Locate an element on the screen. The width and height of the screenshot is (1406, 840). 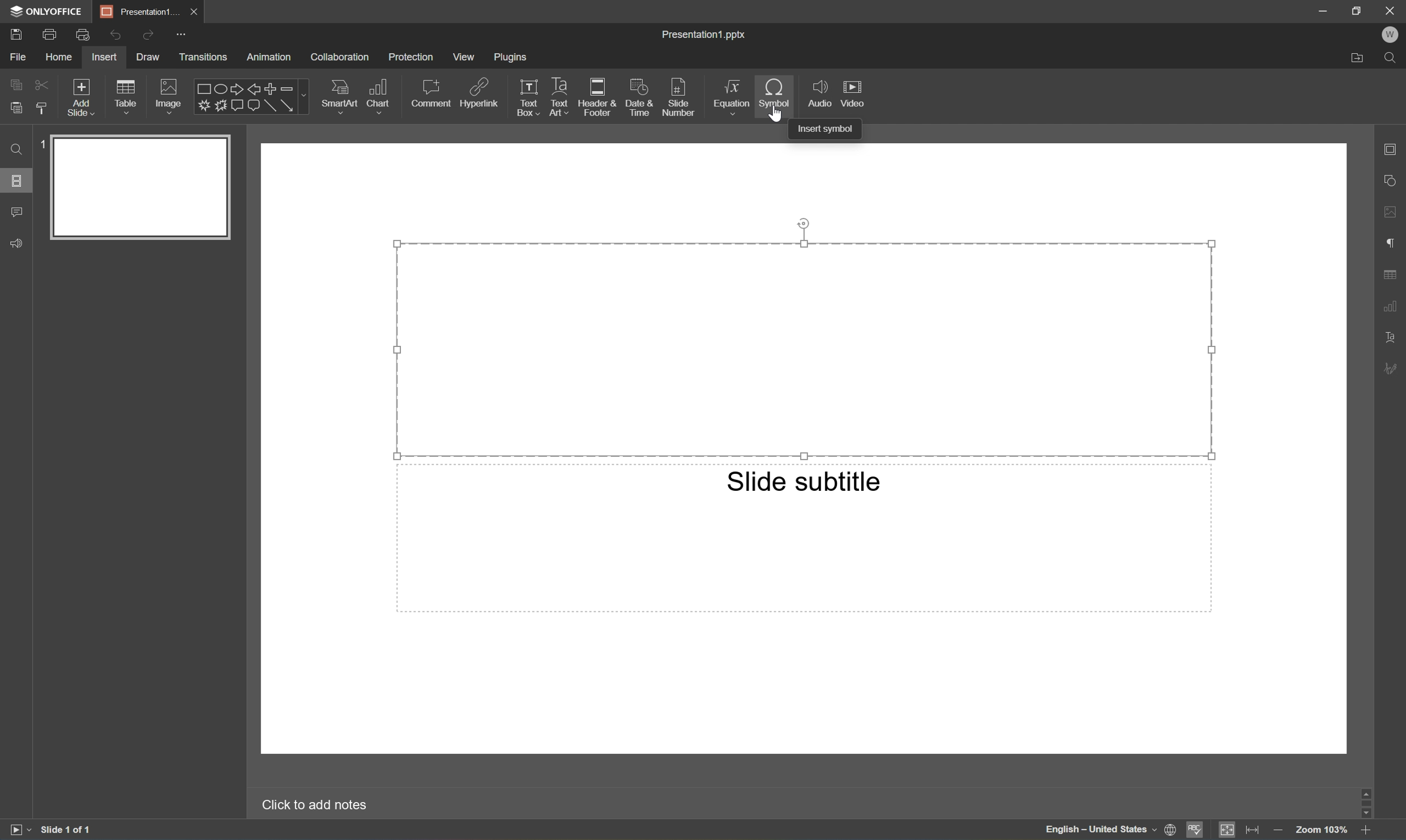
Symbol is located at coordinates (774, 92).